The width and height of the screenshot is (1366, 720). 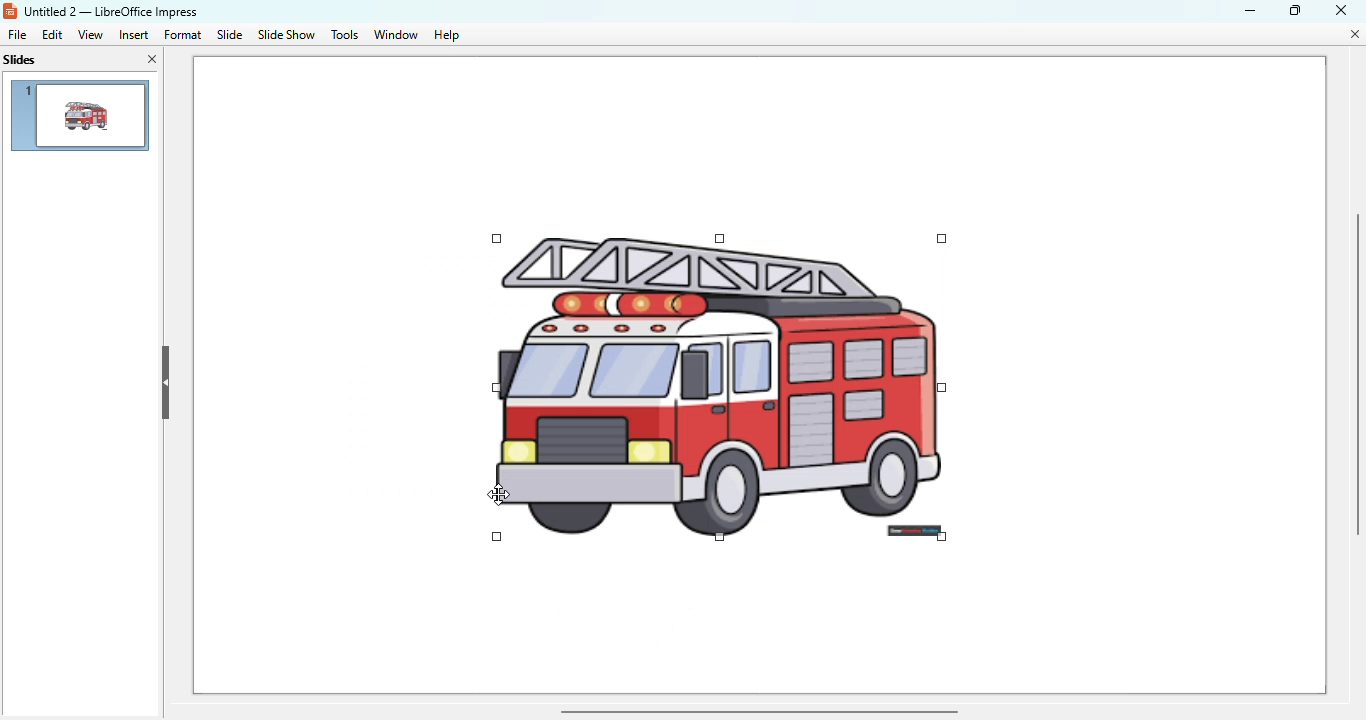 What do you see at coordinates (1297, 9) in the screenshot?
I see `maximize` at bounding box center [1297, 9].